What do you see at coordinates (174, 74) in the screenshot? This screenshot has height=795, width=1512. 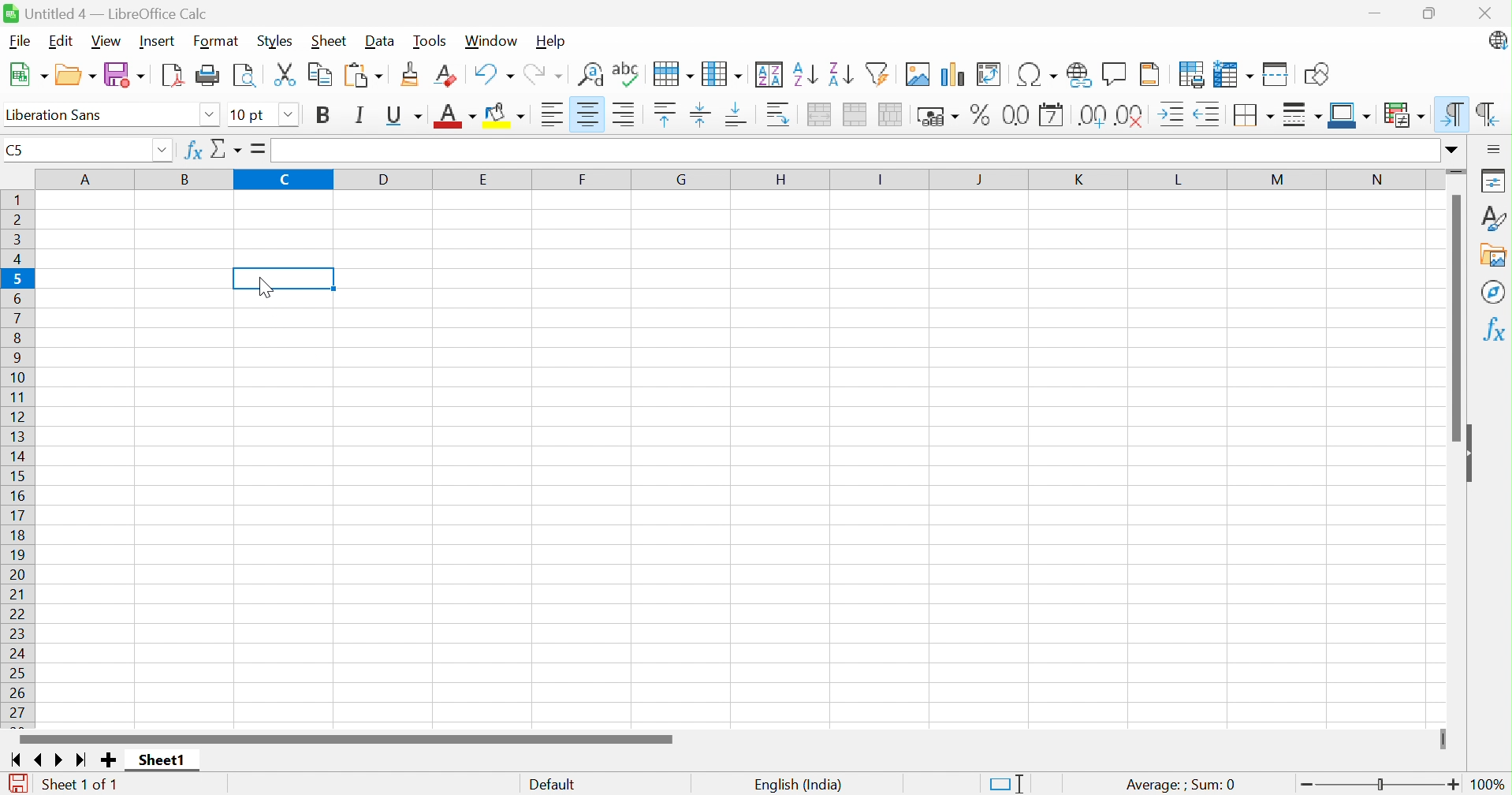 I see `Export as PDF` at bounding box center [174, 74].